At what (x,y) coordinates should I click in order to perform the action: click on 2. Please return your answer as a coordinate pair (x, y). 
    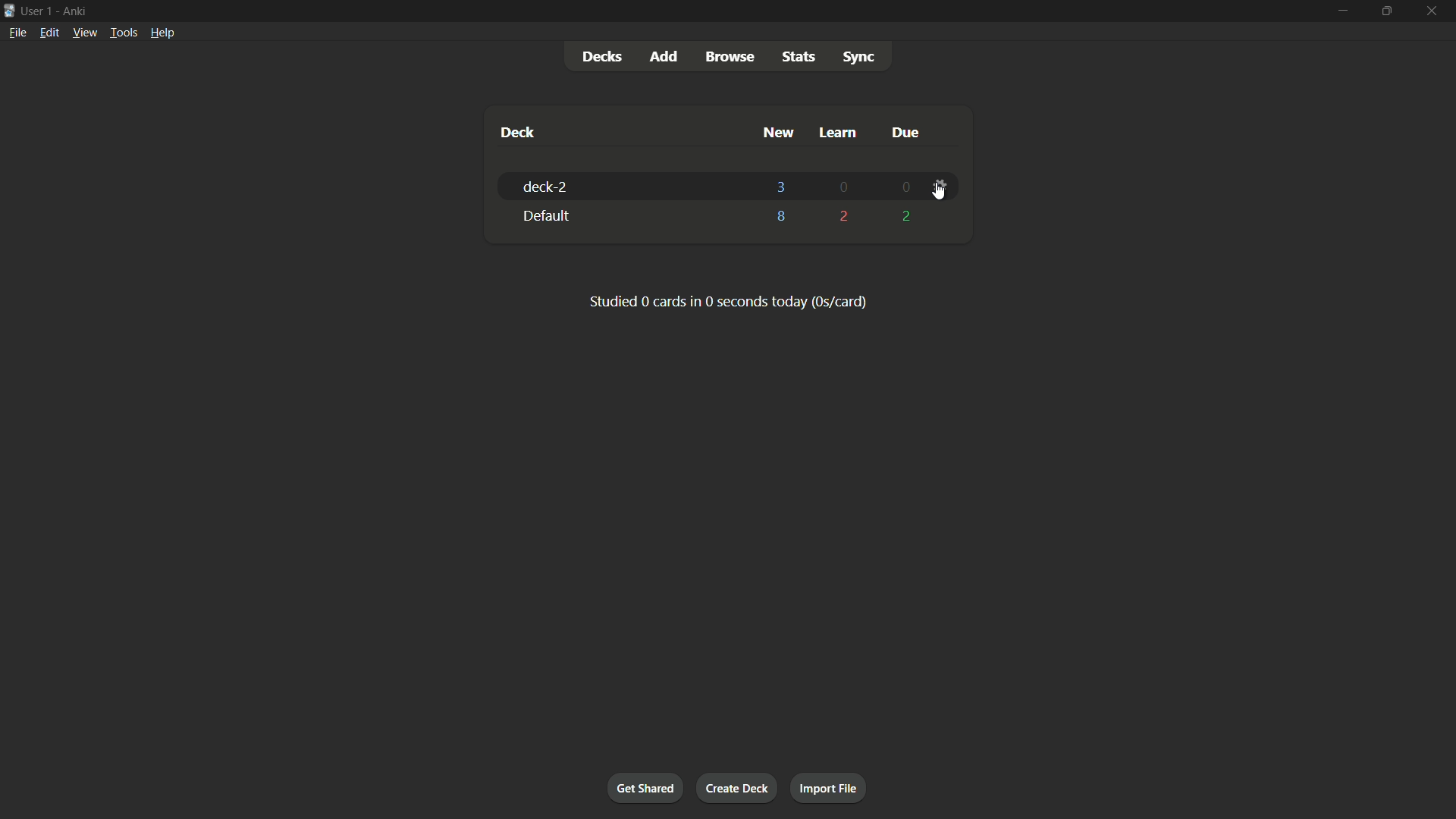
    Looking at the image, I should click on (844, 215).